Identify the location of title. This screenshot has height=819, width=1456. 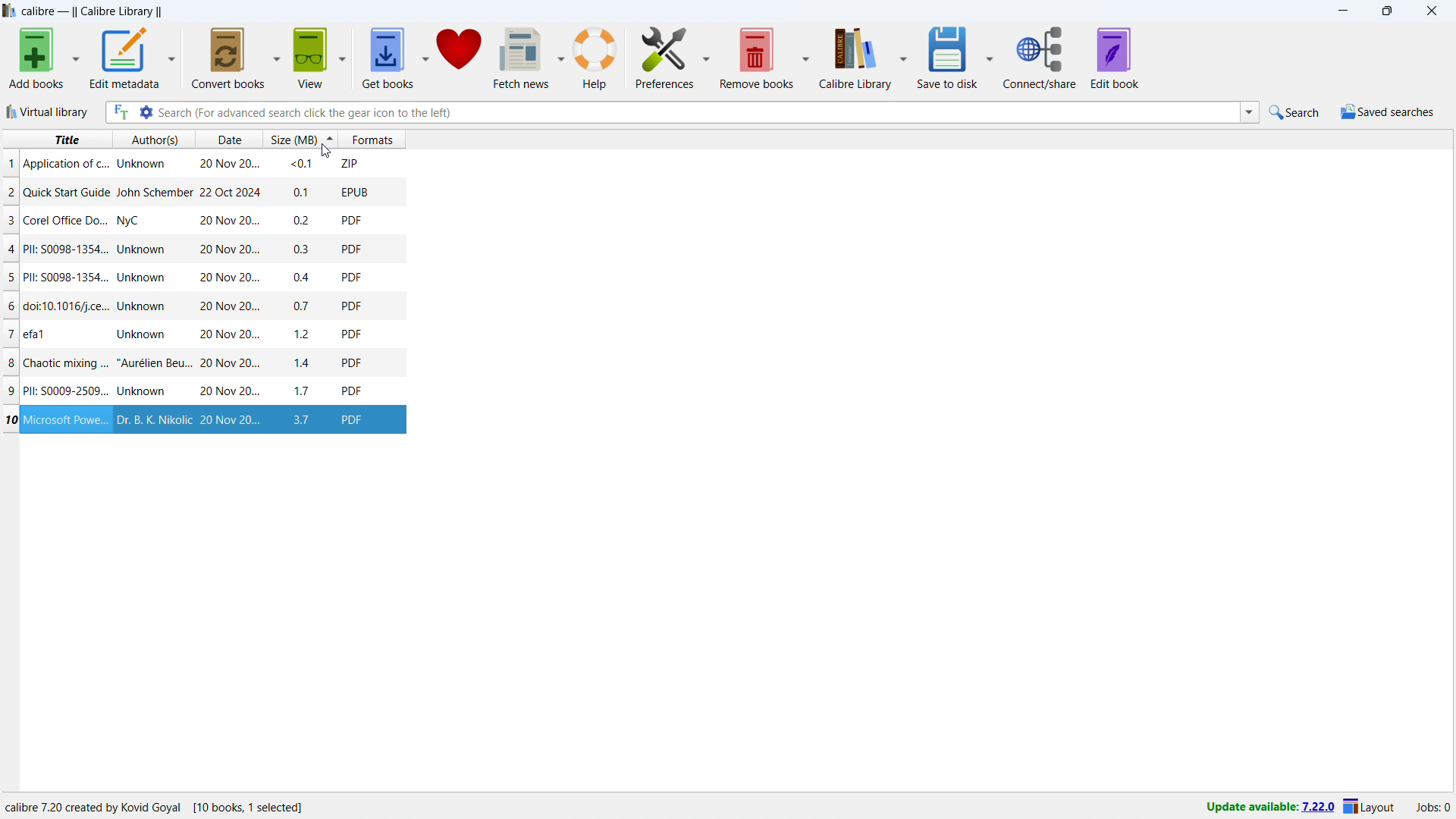
(66, 220).